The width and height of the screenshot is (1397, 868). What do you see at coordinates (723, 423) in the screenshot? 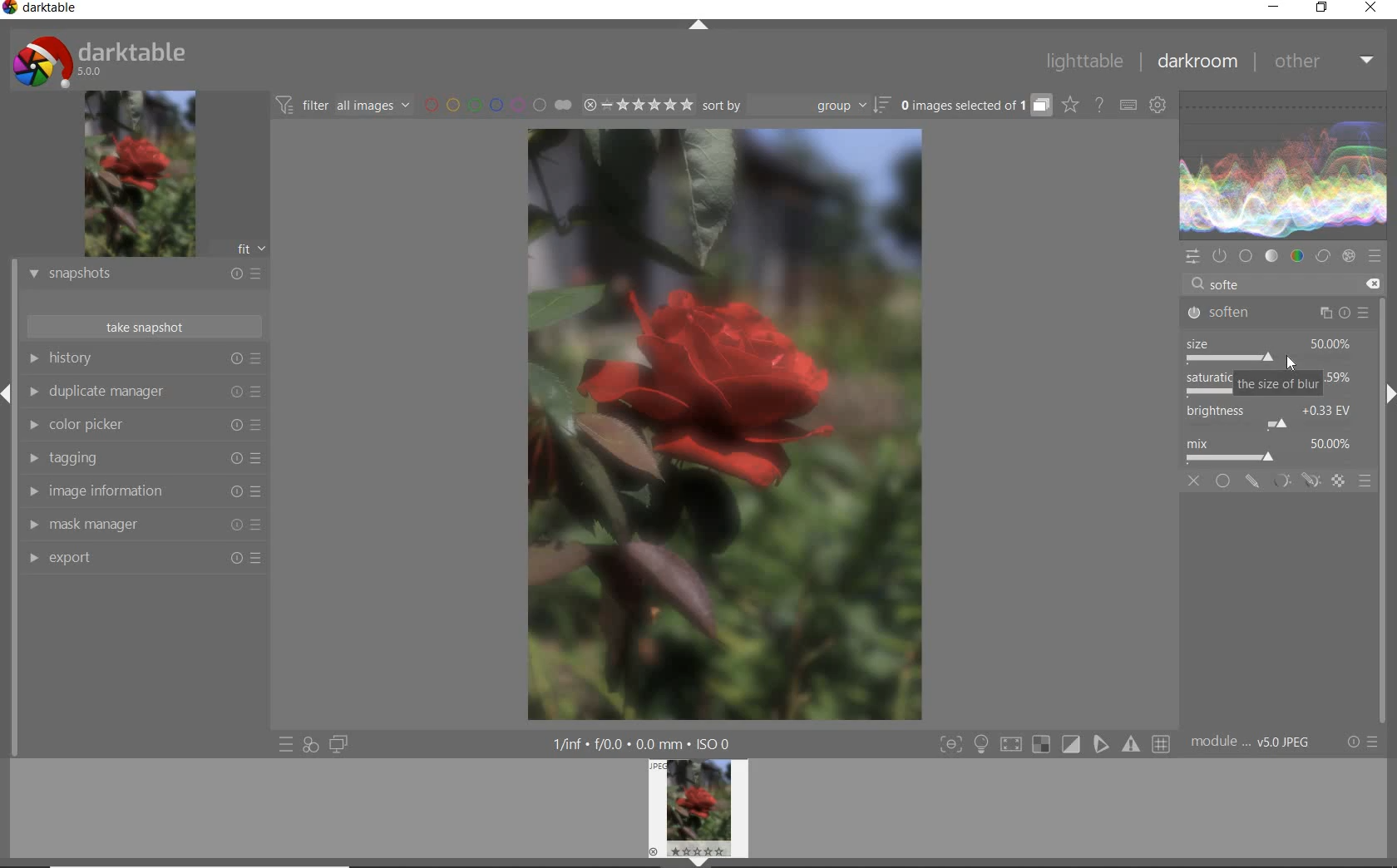
I see `selected image` at bounding box center [723, 423].